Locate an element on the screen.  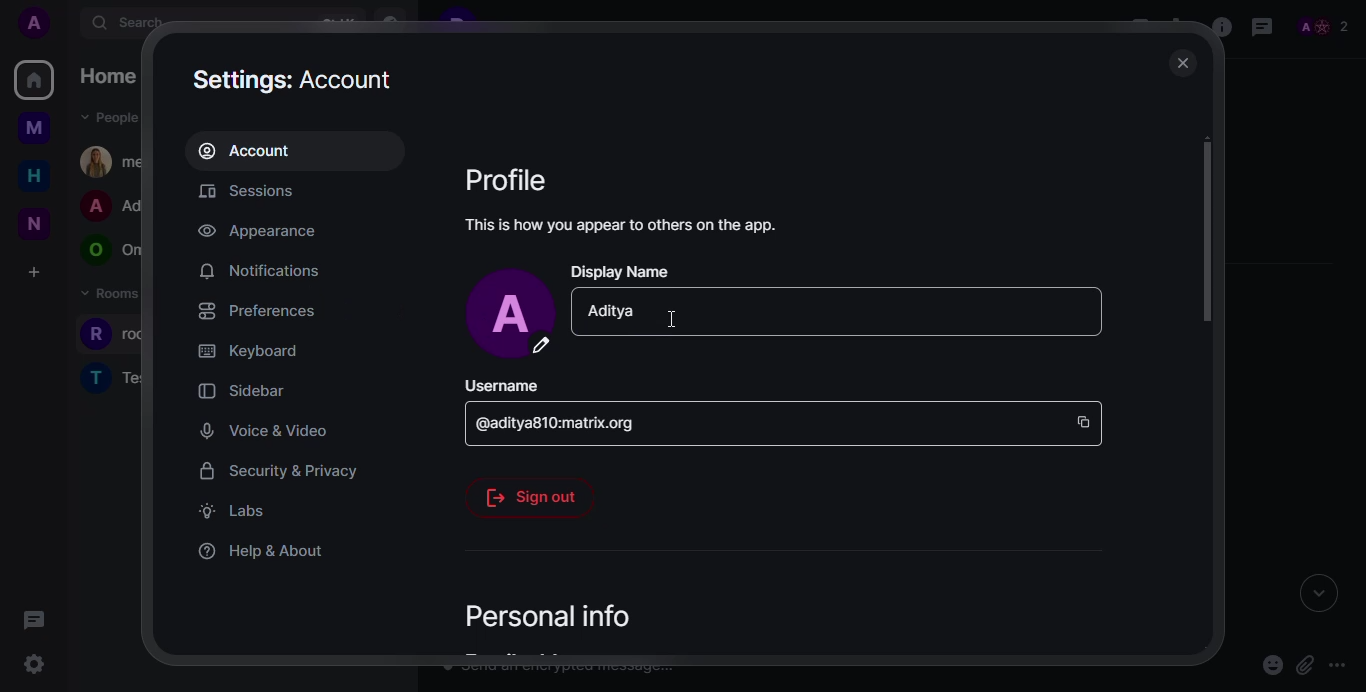
rooms is located at coordinates (112, 337).